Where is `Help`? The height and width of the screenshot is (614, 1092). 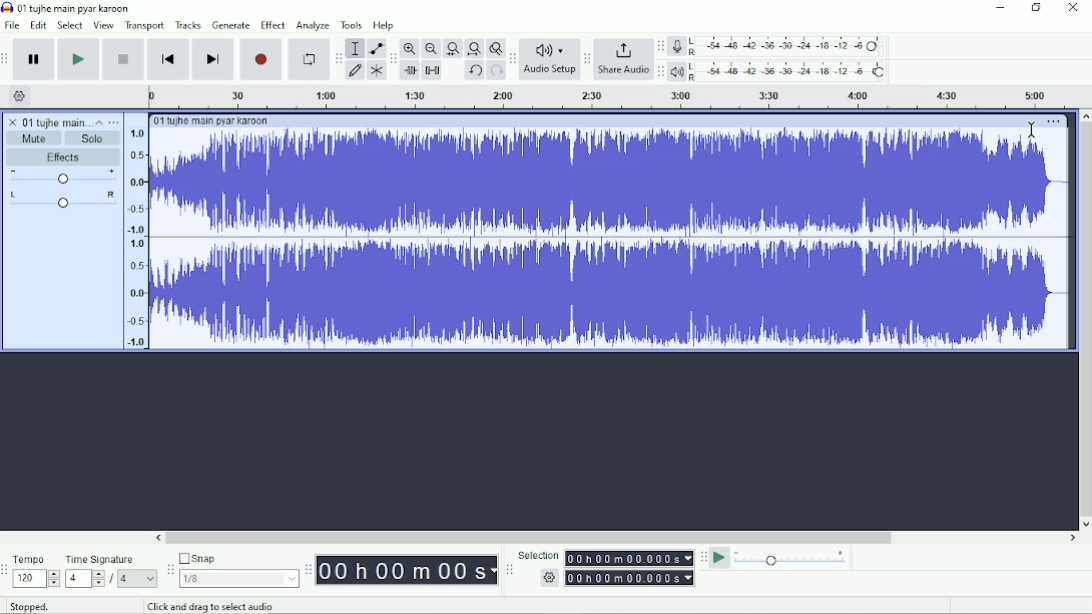
Help is located at coordinates (385, 25).